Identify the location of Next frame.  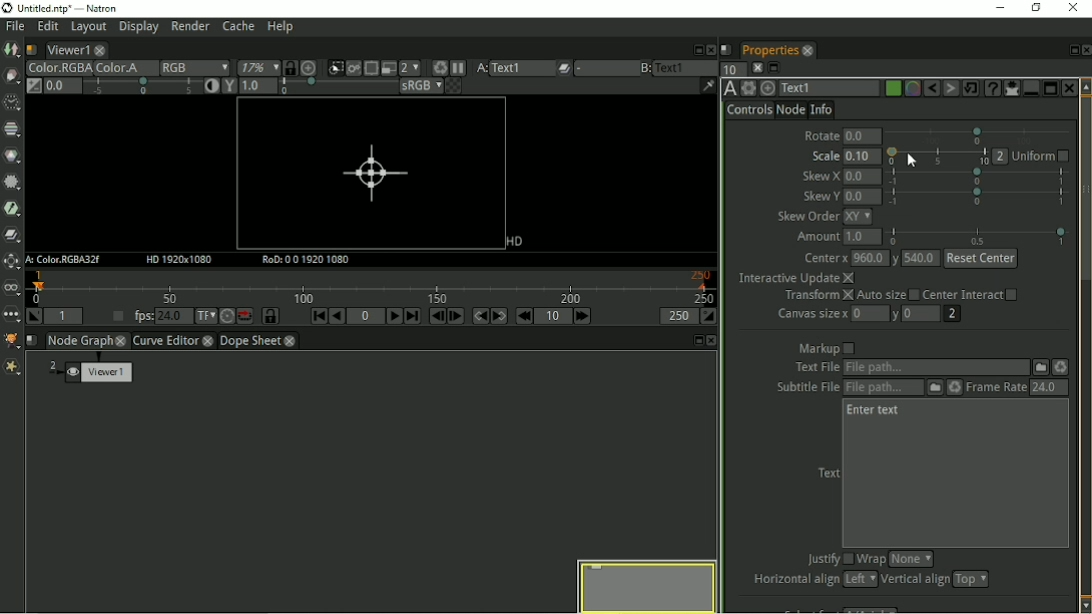
(455, 316).